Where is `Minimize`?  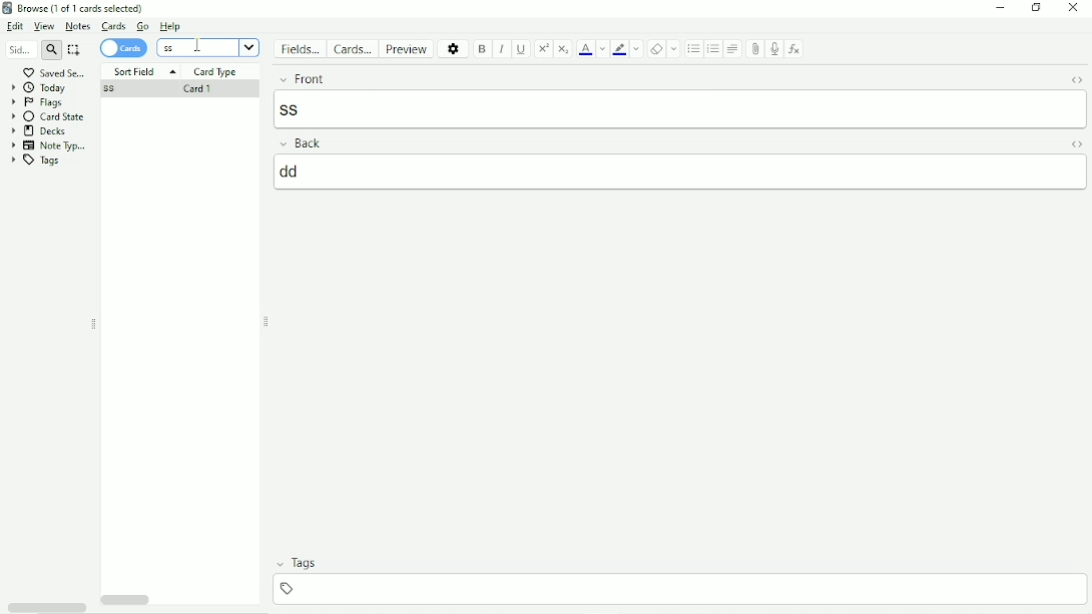
Minimize is located at coordinates (999, 8).